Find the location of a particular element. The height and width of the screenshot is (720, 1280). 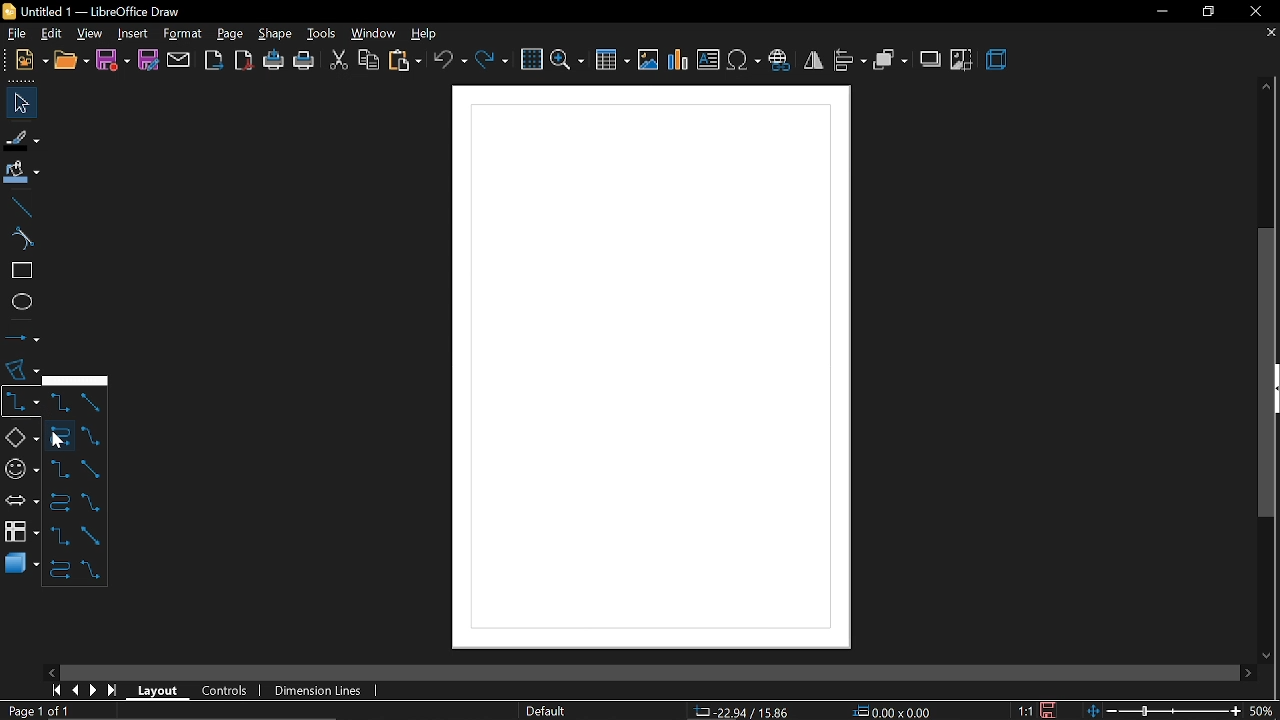

straight connector with arrow is located at coordinates (93, 501).